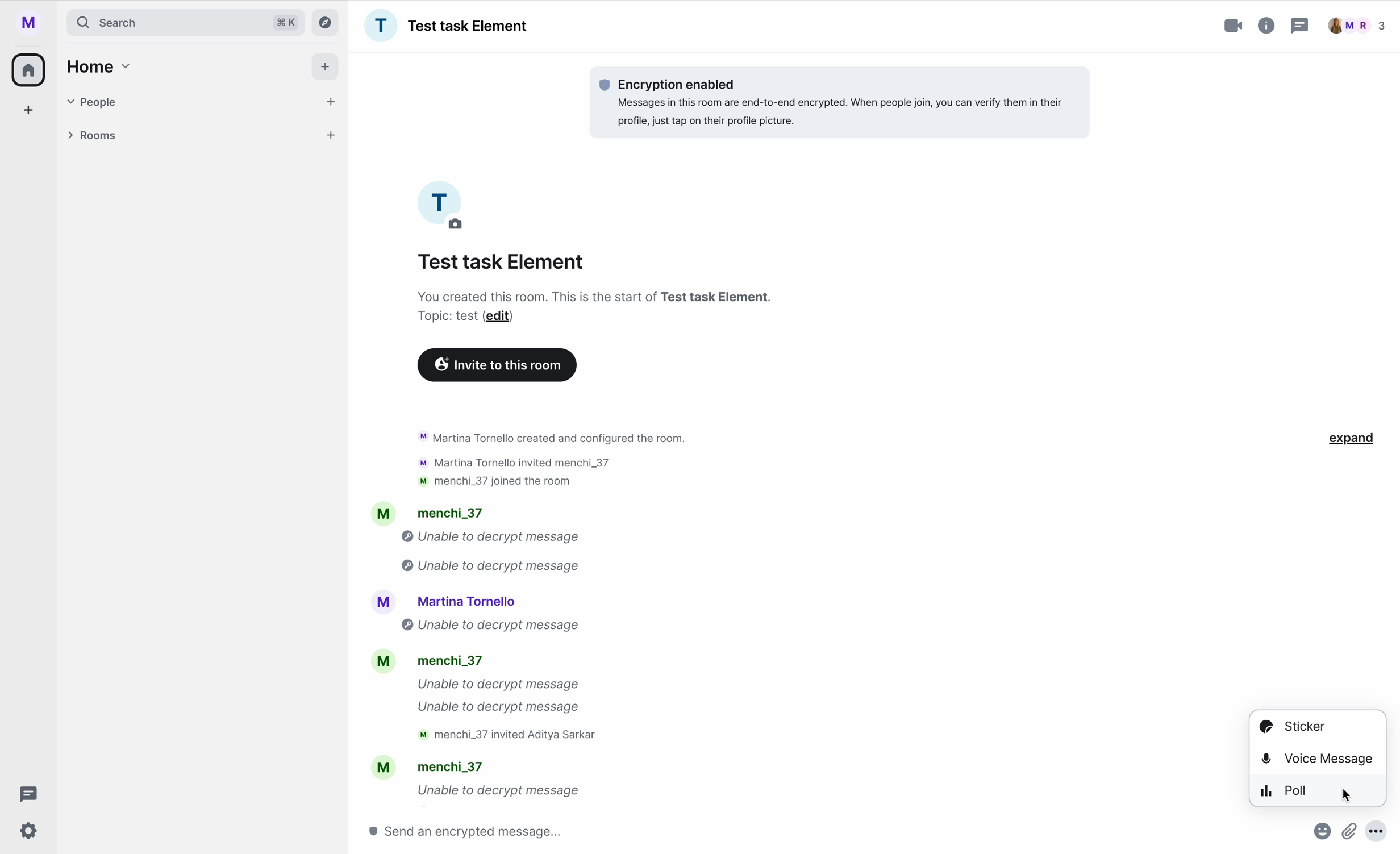  Describe the element at coordinates (489, 831) in the screenshot. I see `send a message` at that location.